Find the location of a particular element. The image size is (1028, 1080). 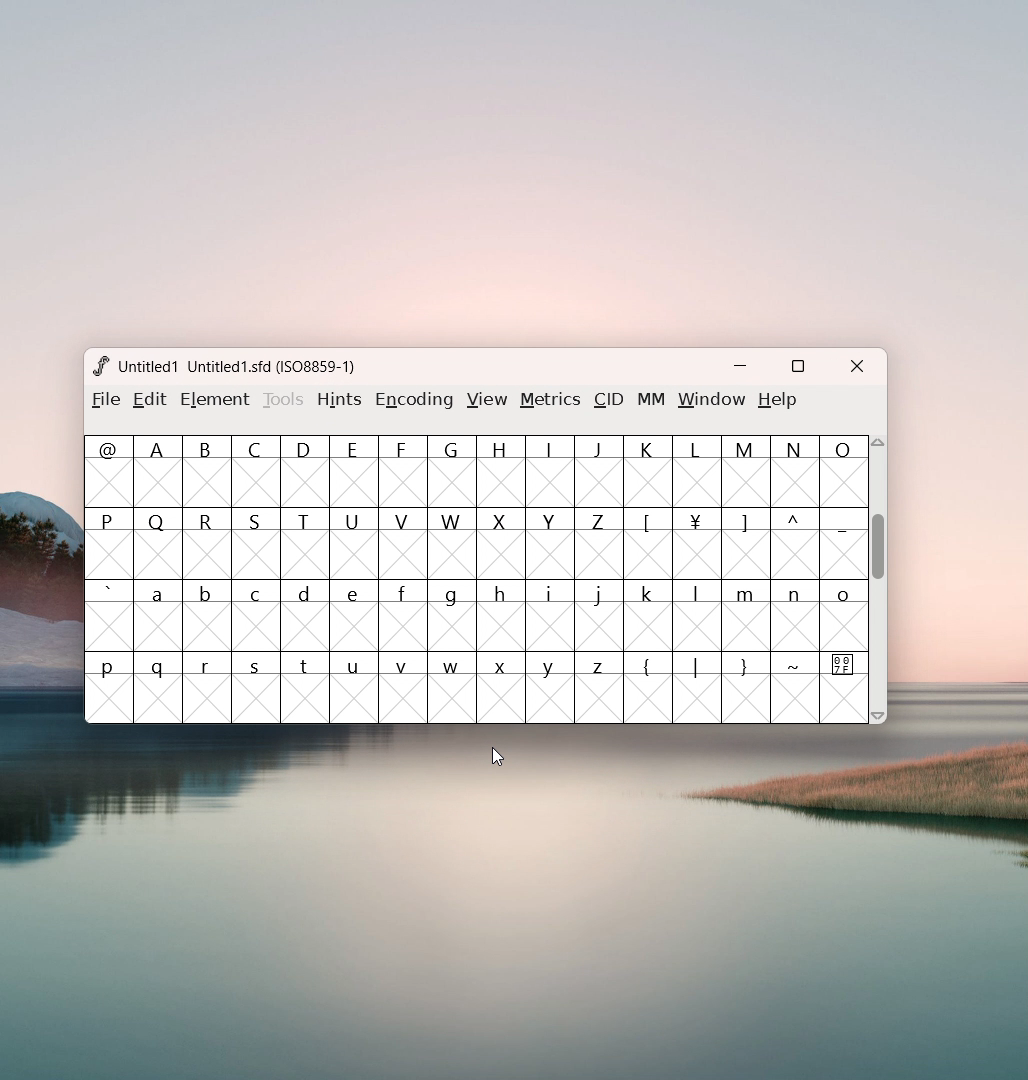

j is located at coordinates (600, 617).